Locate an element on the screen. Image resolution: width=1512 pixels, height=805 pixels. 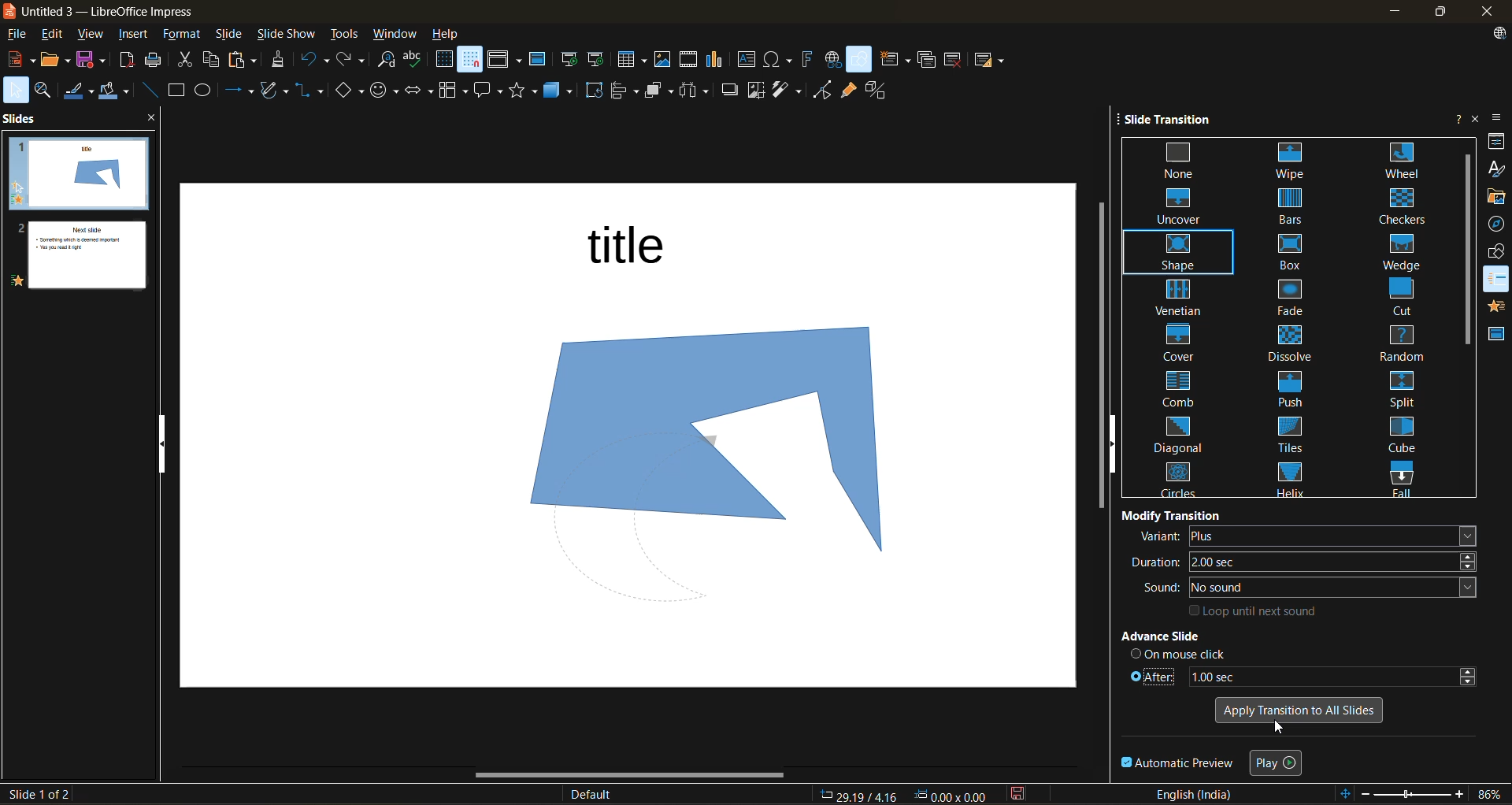
close is located at coordinates (1489, 11).